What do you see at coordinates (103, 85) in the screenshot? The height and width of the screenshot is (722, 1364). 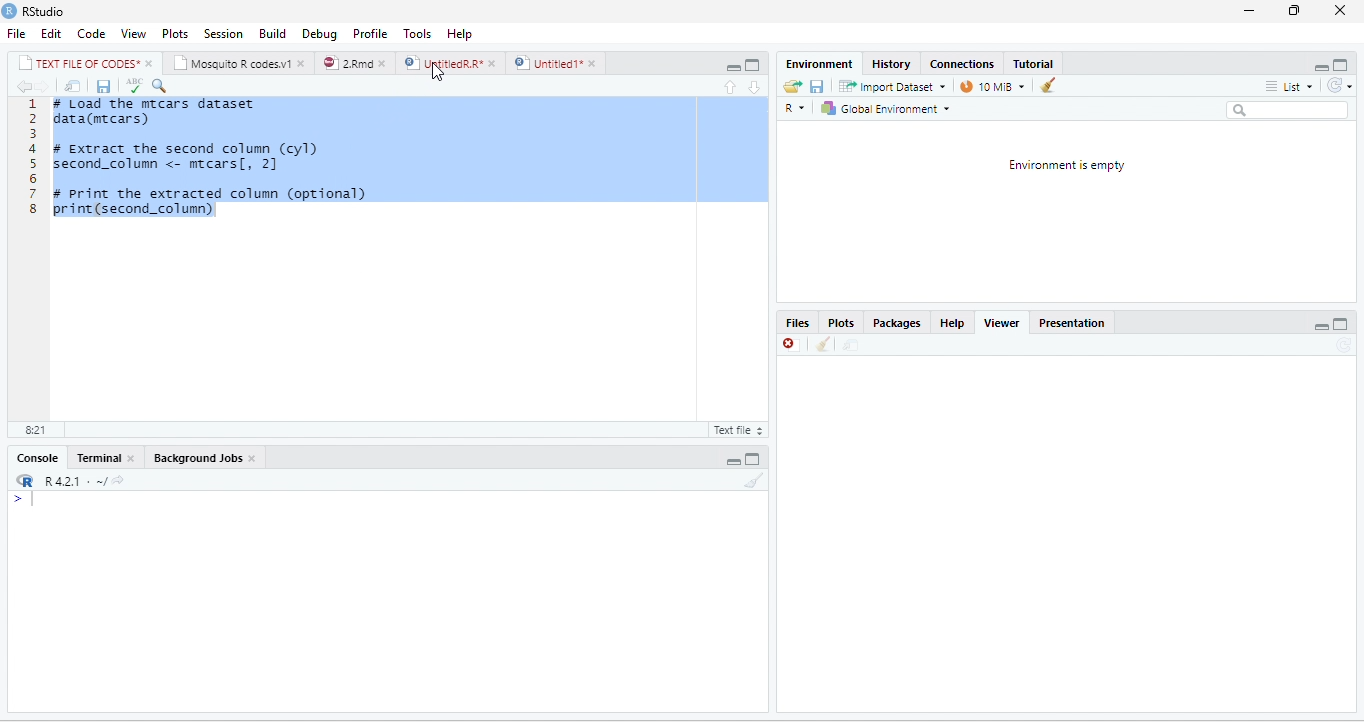 I see `save` at bounding box center [103, 85].